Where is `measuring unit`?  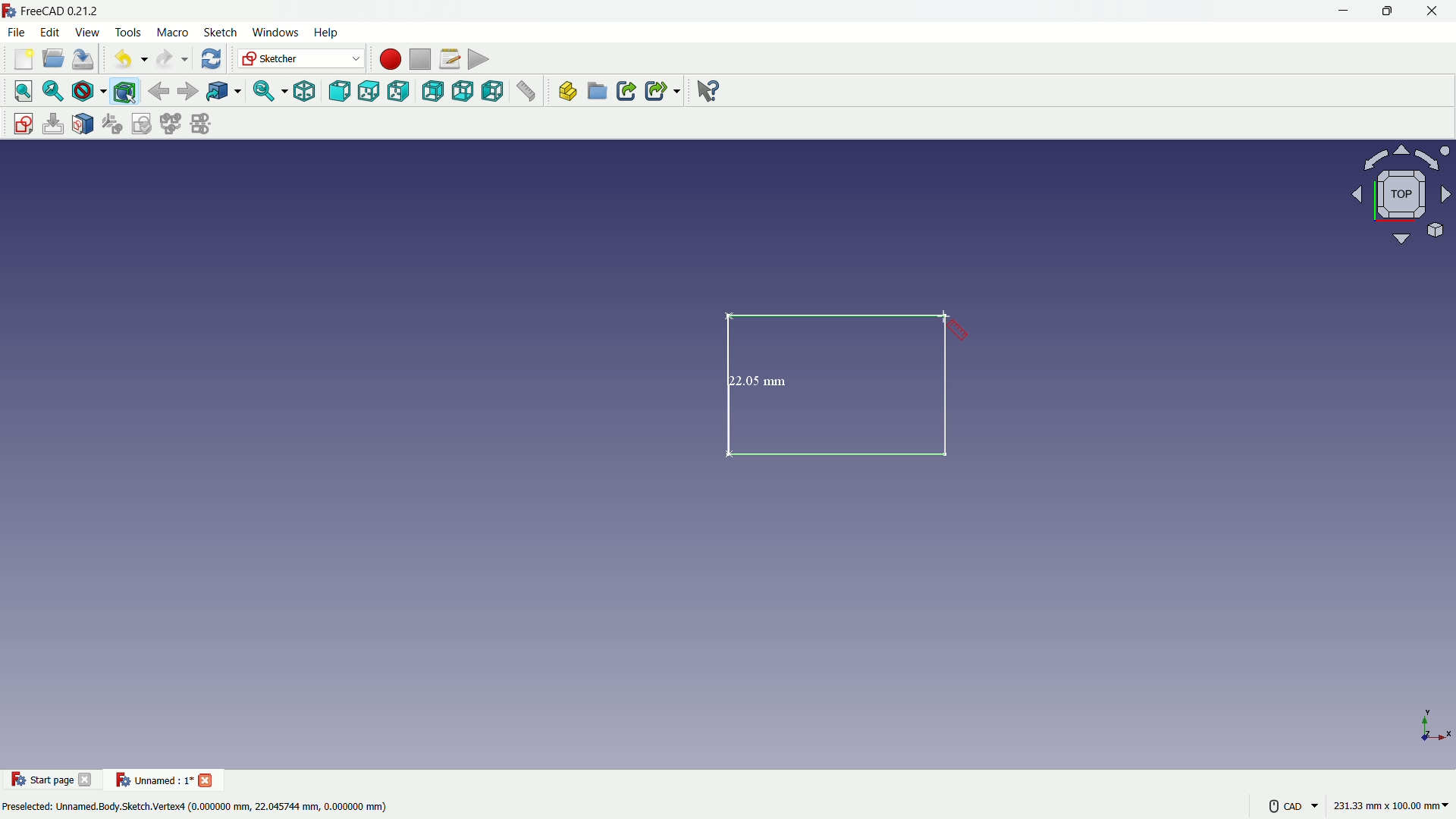
measuring unit is located at coordinates (1388, 808).